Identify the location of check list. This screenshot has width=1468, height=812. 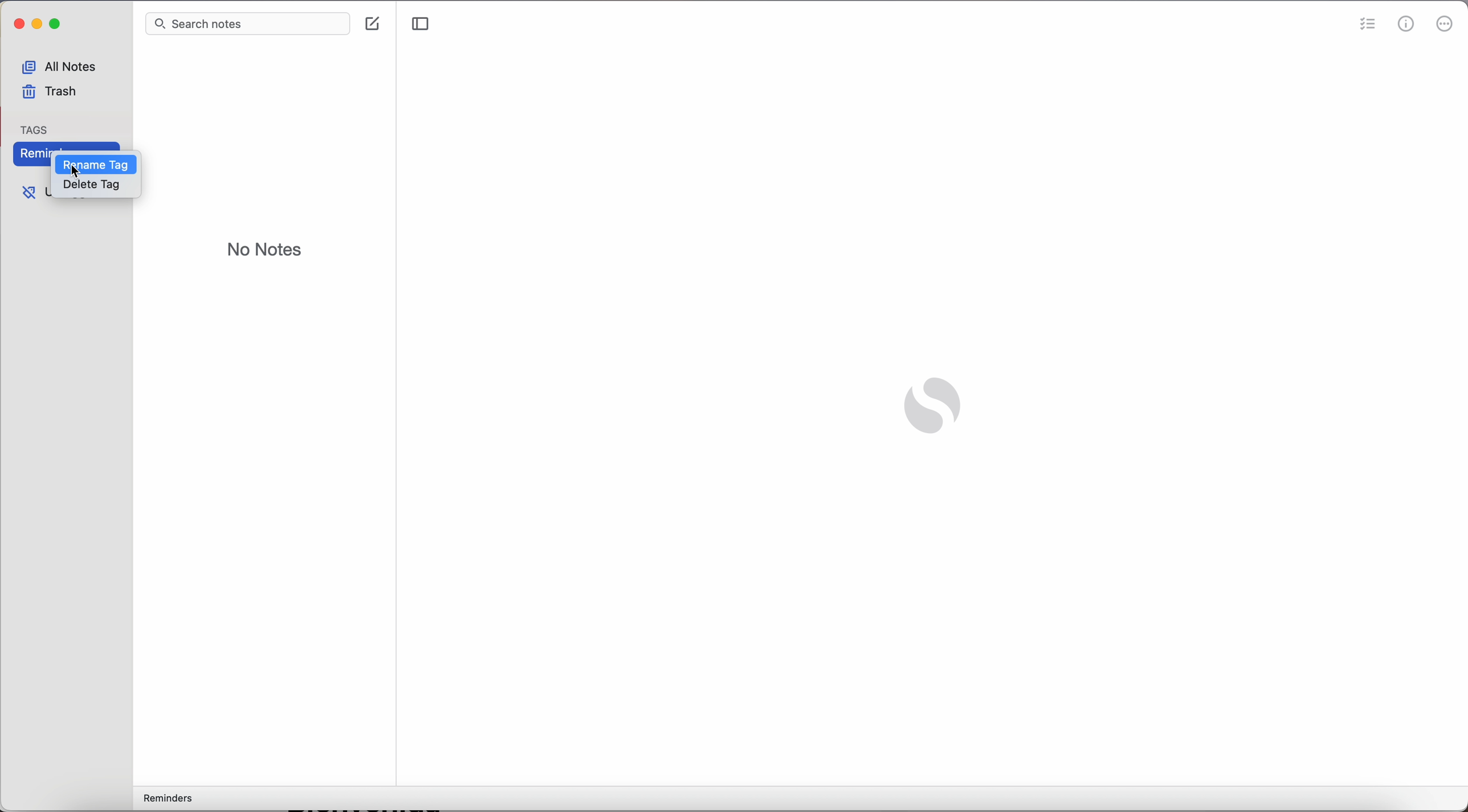
(1368, 24).